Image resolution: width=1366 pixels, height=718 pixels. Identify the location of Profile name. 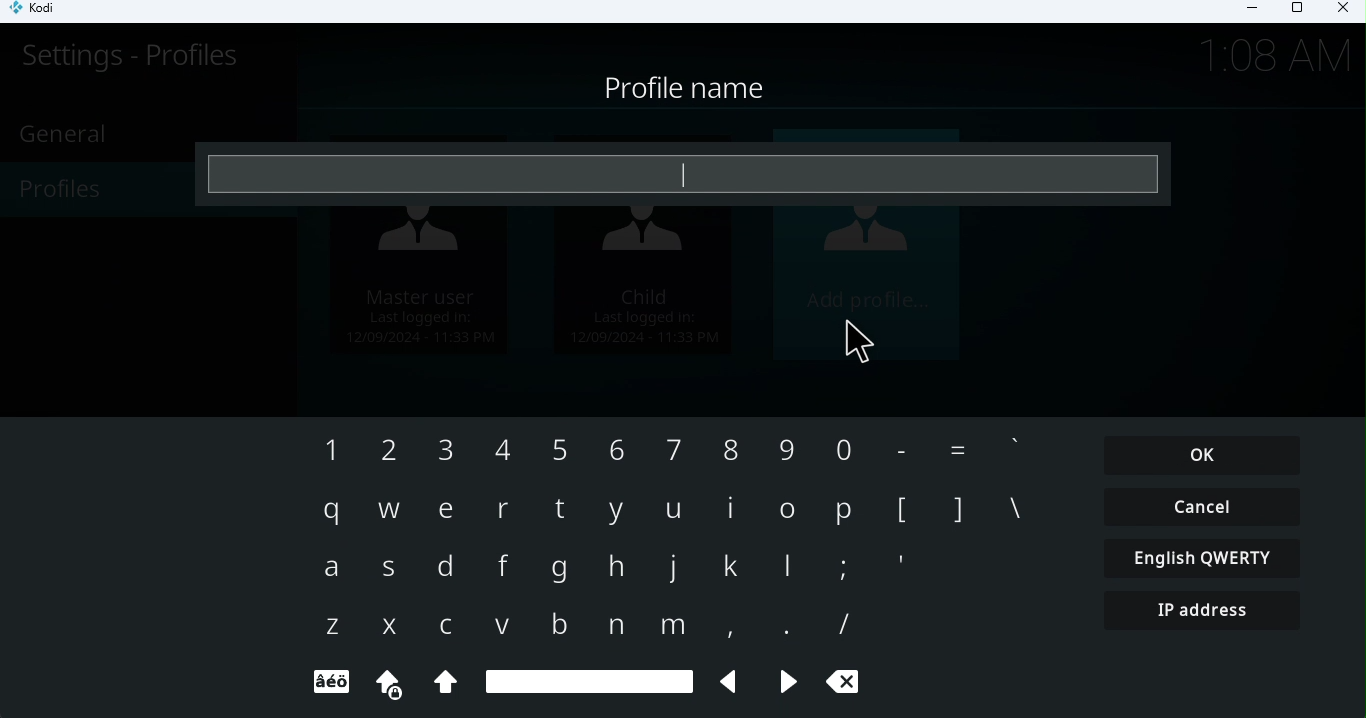
(688, 88).